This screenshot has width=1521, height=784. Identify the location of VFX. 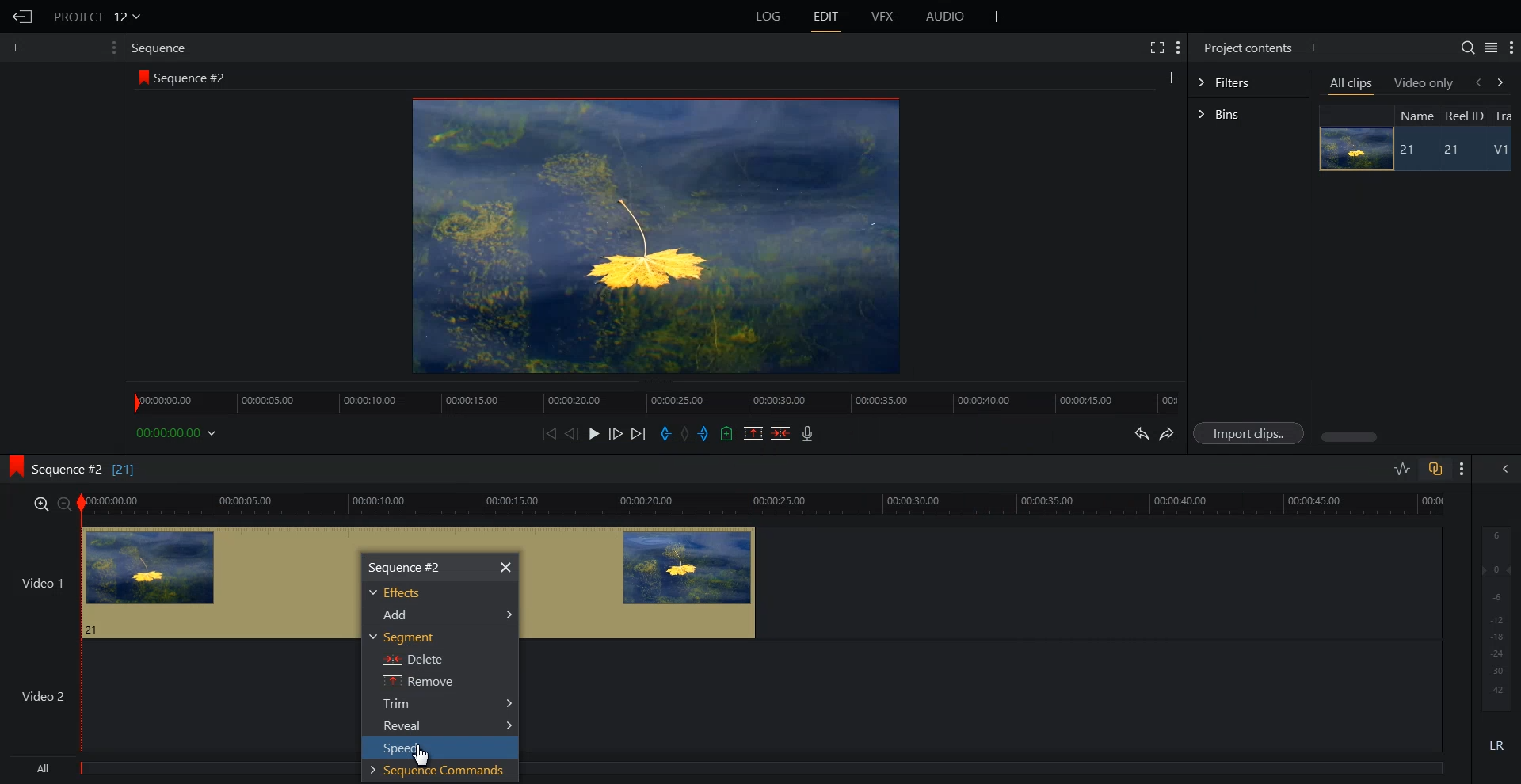
(883, 17).